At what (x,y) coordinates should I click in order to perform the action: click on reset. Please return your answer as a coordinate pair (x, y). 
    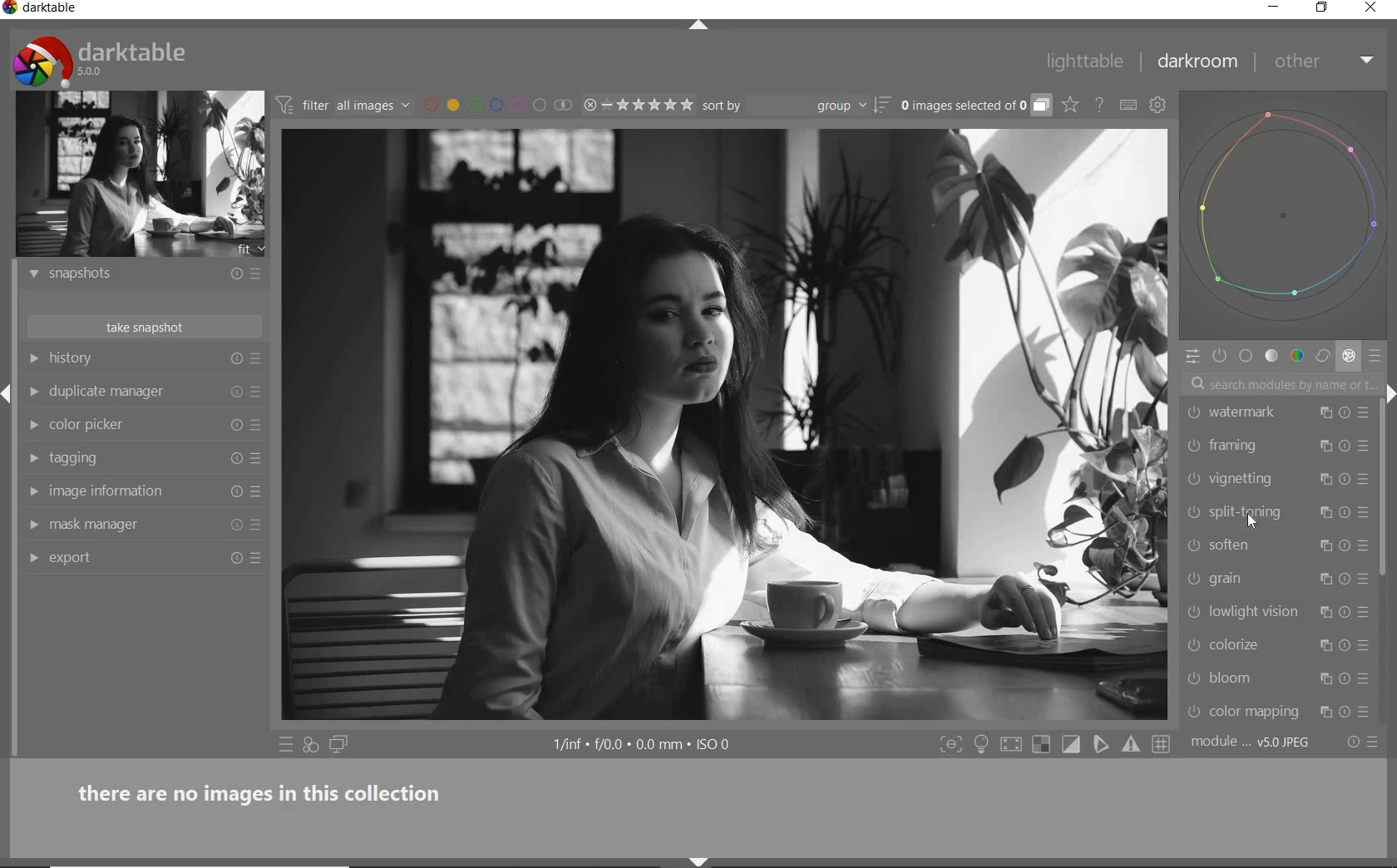
    Looking at the image, I should click on (1347, 513).